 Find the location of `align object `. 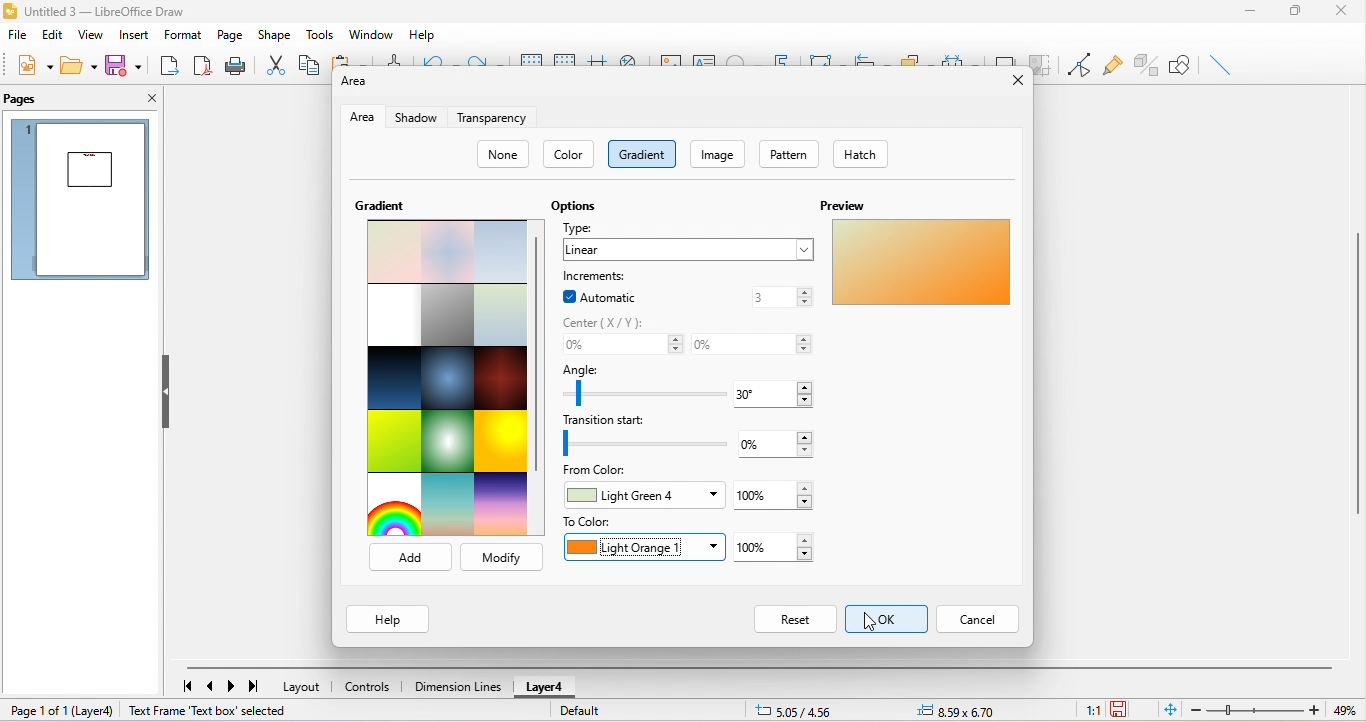

align object  is located at coordinates (868, 57).